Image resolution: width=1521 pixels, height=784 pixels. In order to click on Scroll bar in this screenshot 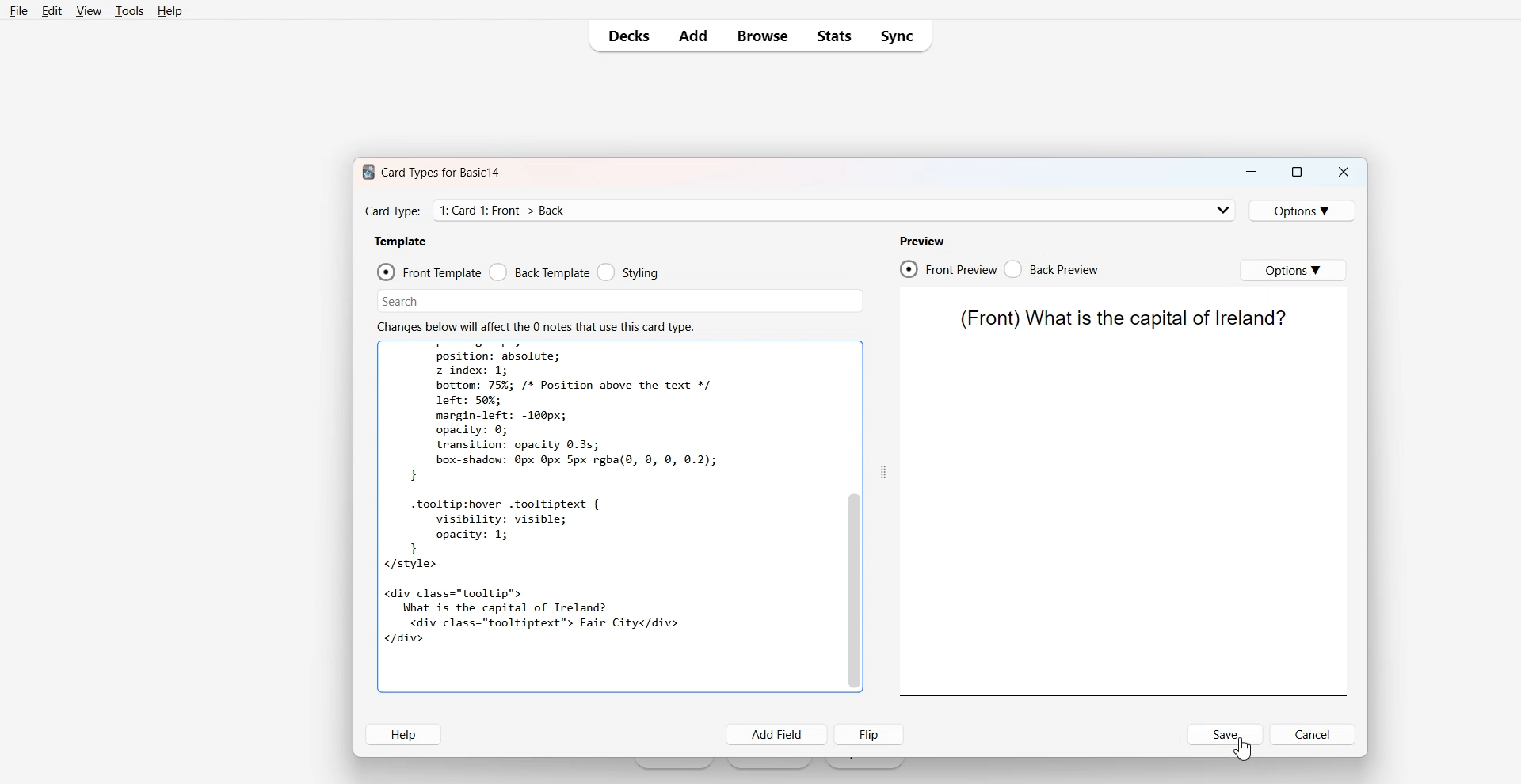, I will do `click(855, 517)`.